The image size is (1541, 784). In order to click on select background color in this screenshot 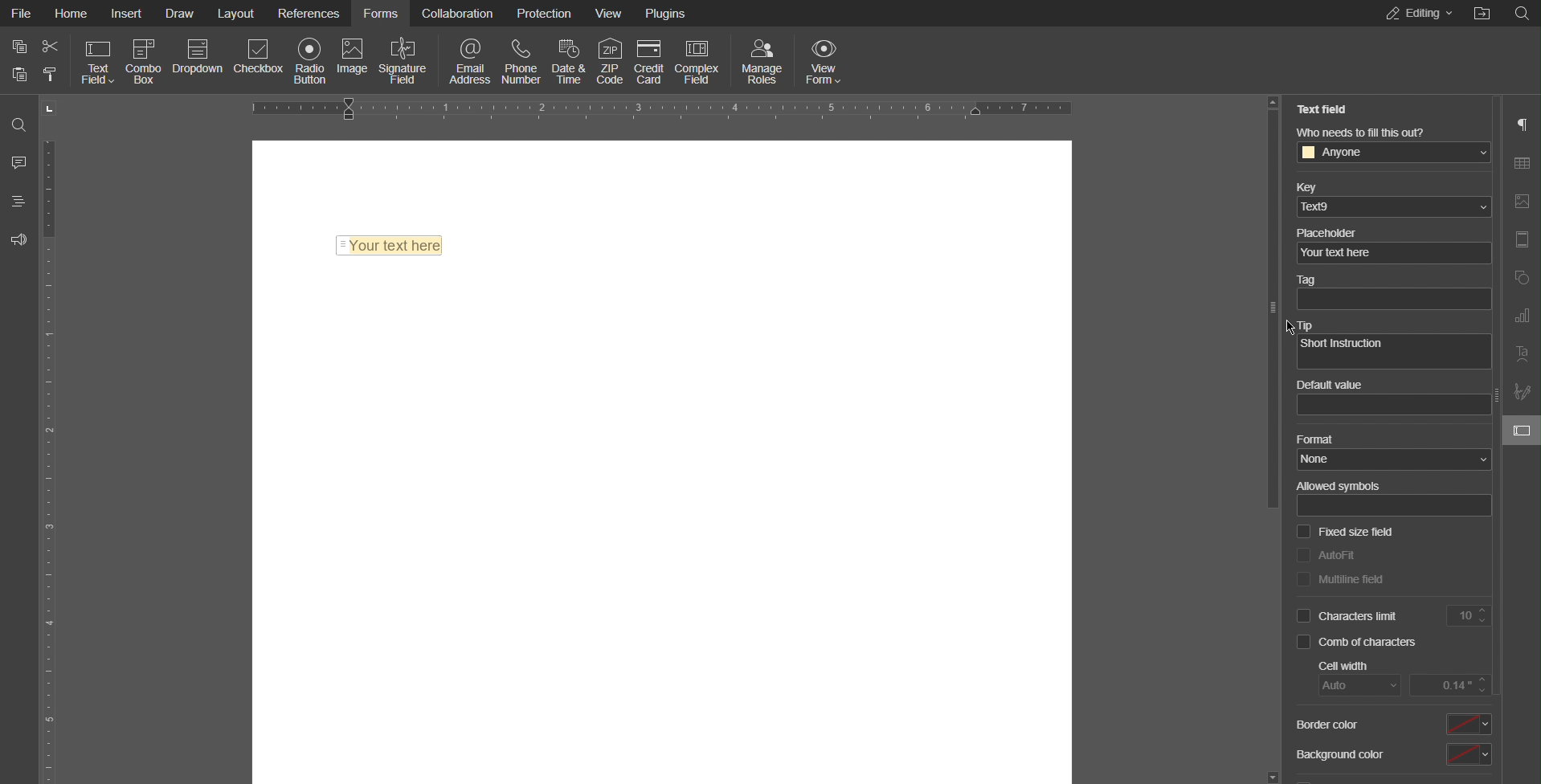, I will do `click(1470, 753)`.